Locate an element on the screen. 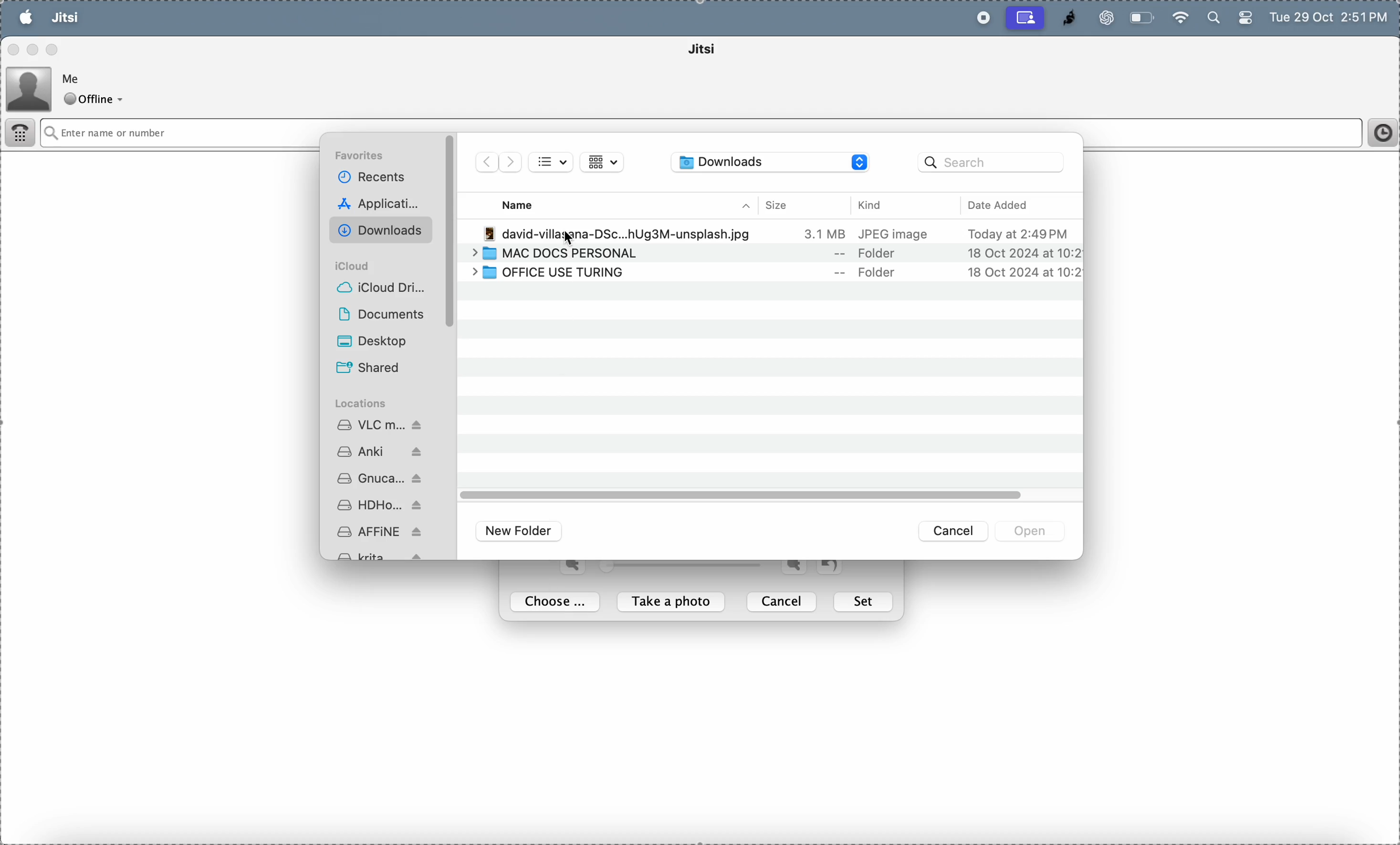  time frame is located at coordinates (1378, 133).